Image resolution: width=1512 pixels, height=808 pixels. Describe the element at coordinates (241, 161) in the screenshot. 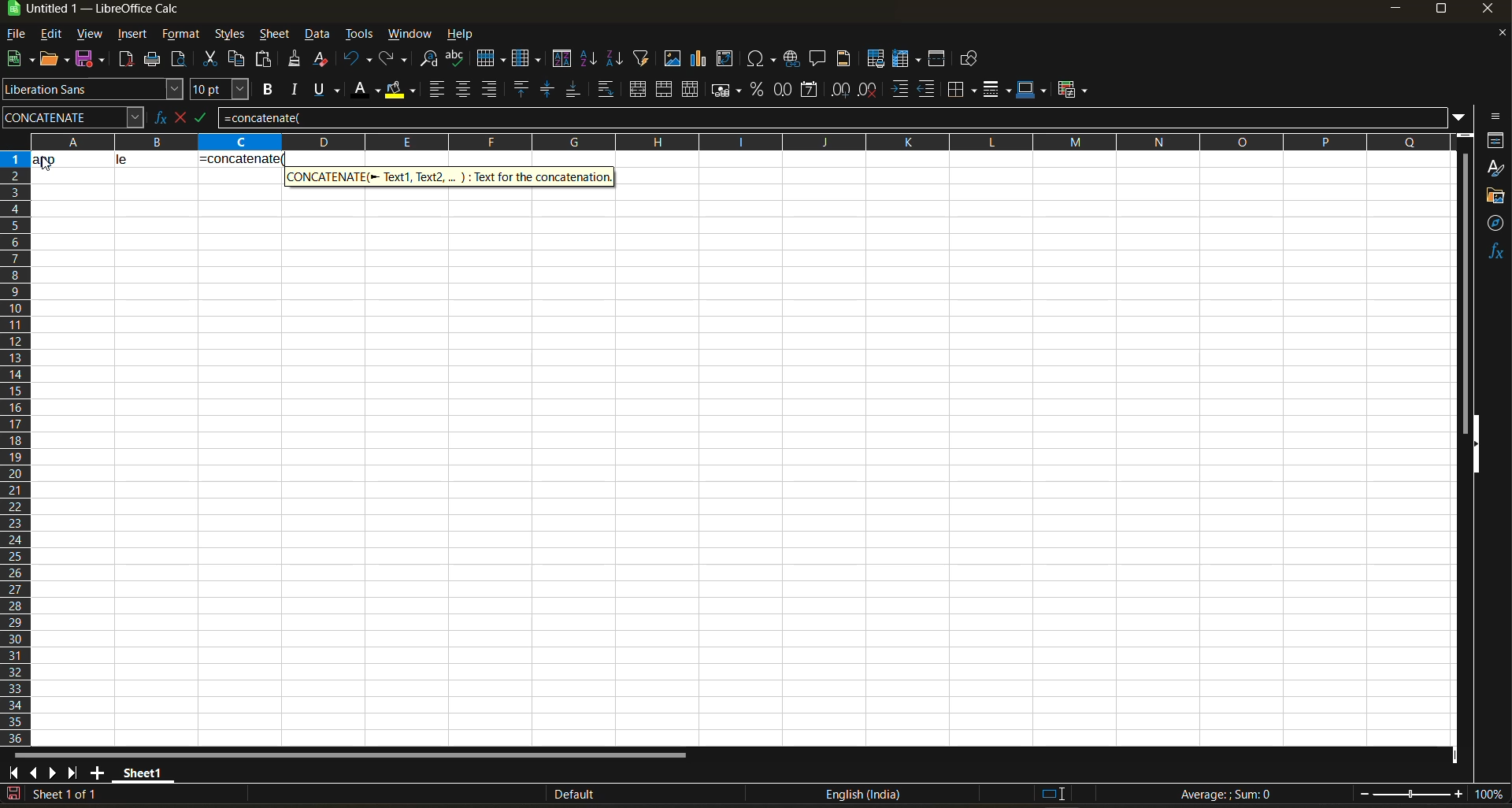

I see `formula` at that location.